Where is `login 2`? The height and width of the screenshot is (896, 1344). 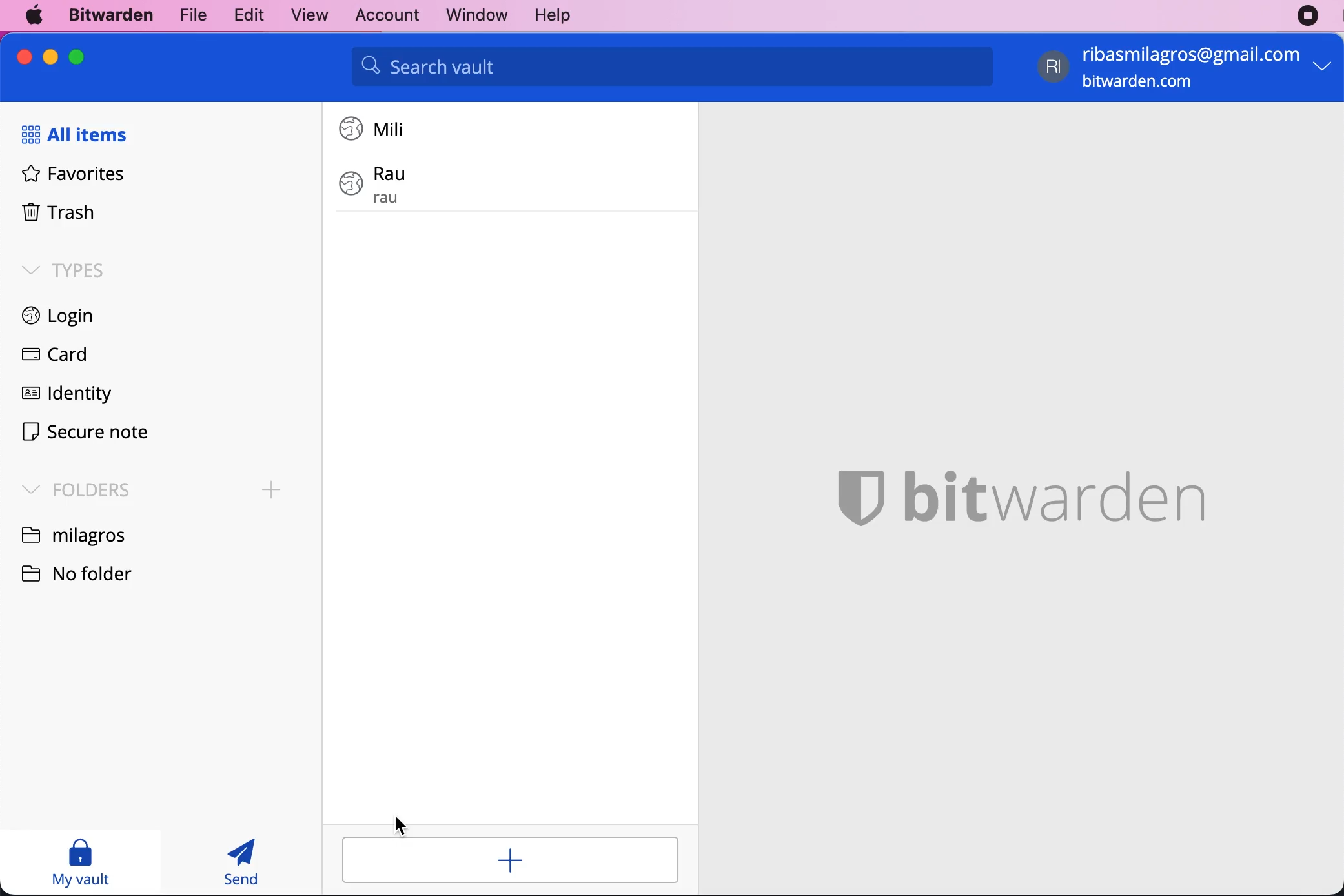 login 2 is located at coordinates (429, 184).